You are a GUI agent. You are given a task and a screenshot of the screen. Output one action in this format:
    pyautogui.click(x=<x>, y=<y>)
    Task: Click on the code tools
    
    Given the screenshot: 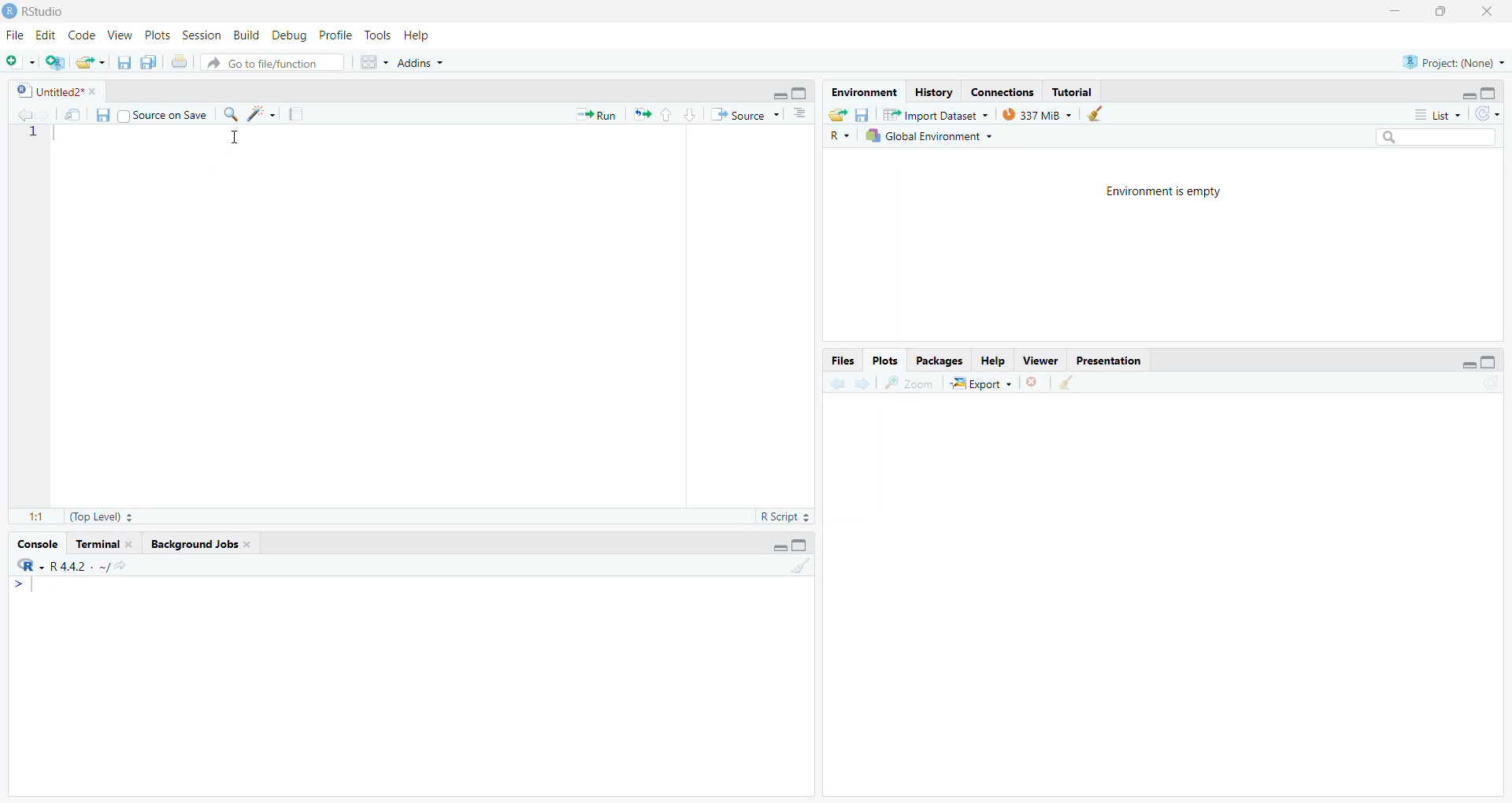 What is the action you would take?
    pyautogui.click(x=261, y=113)
    